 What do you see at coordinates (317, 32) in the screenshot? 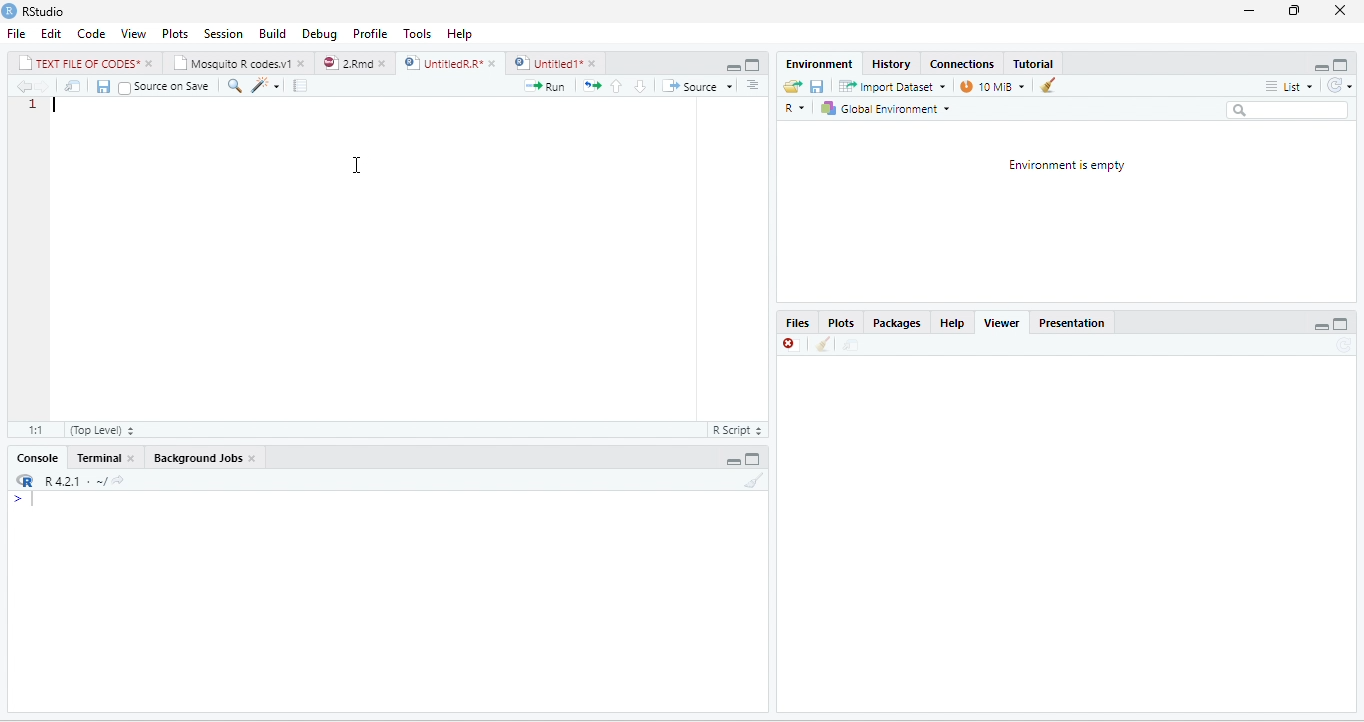
I see `Debug` at bounding box center [317, 32].